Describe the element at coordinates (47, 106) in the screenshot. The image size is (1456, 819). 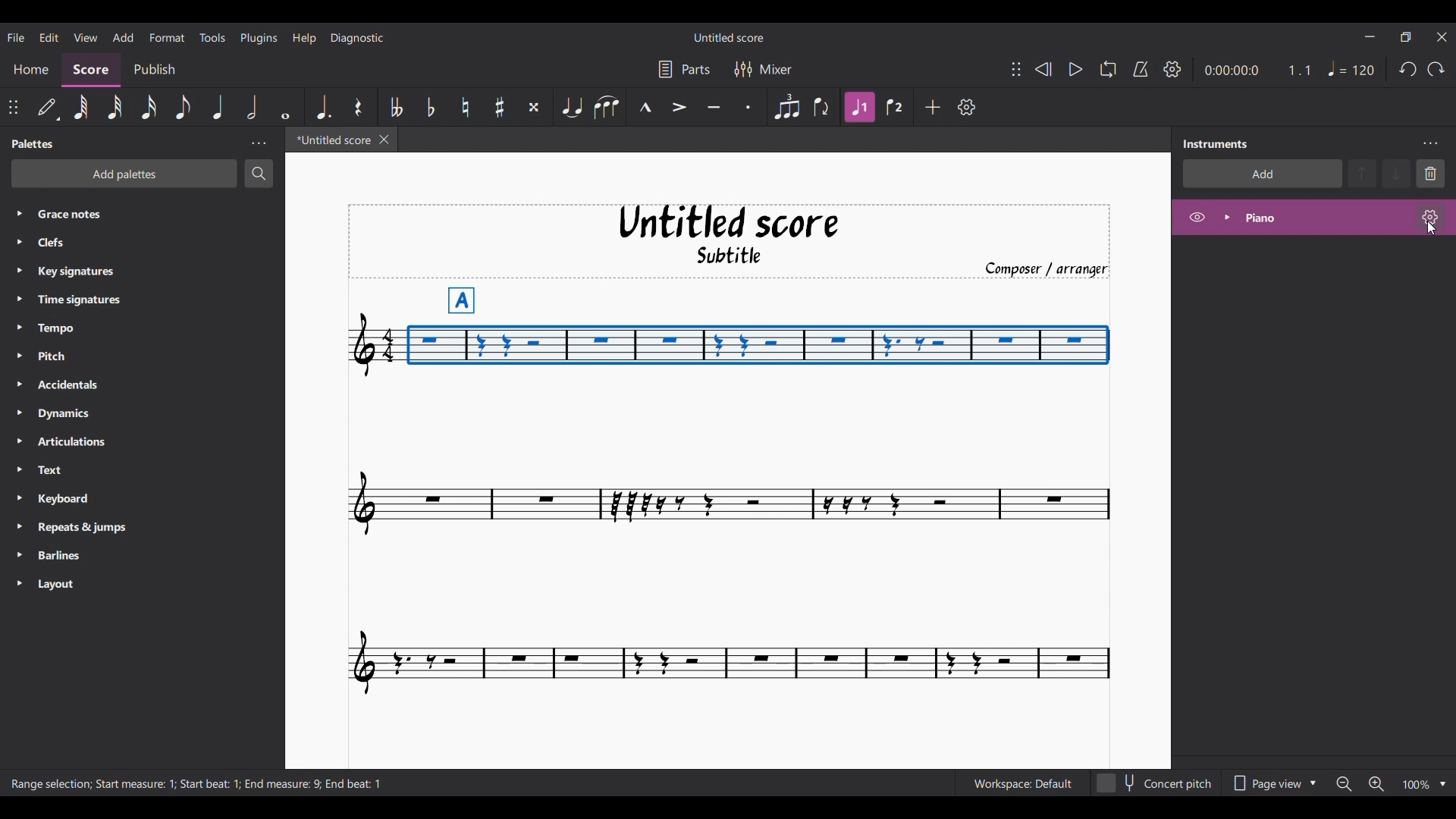
I see `Default` at that location.